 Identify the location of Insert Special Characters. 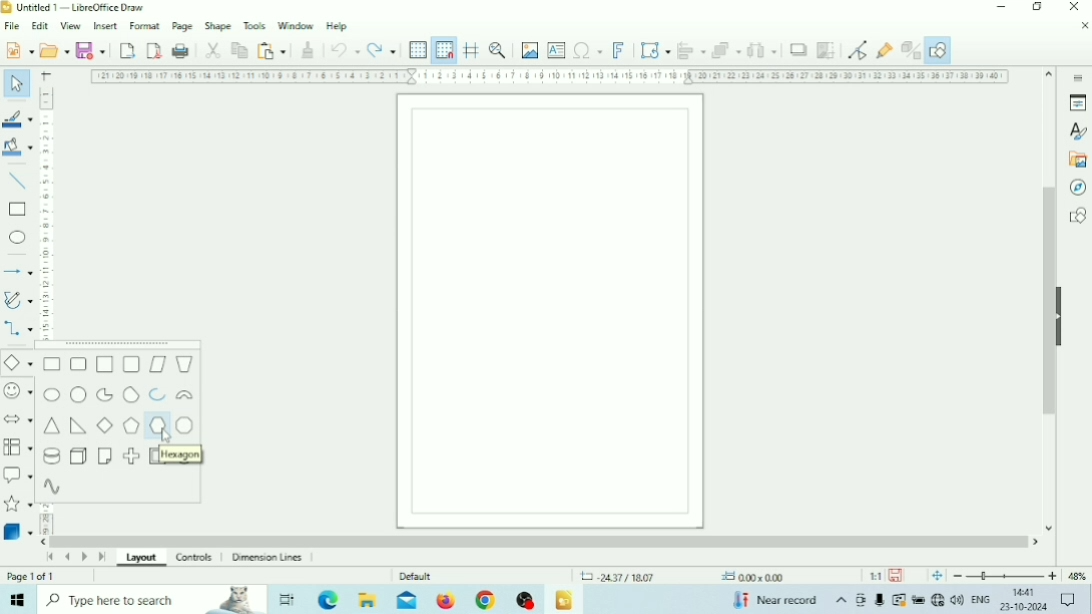
(588, 50).